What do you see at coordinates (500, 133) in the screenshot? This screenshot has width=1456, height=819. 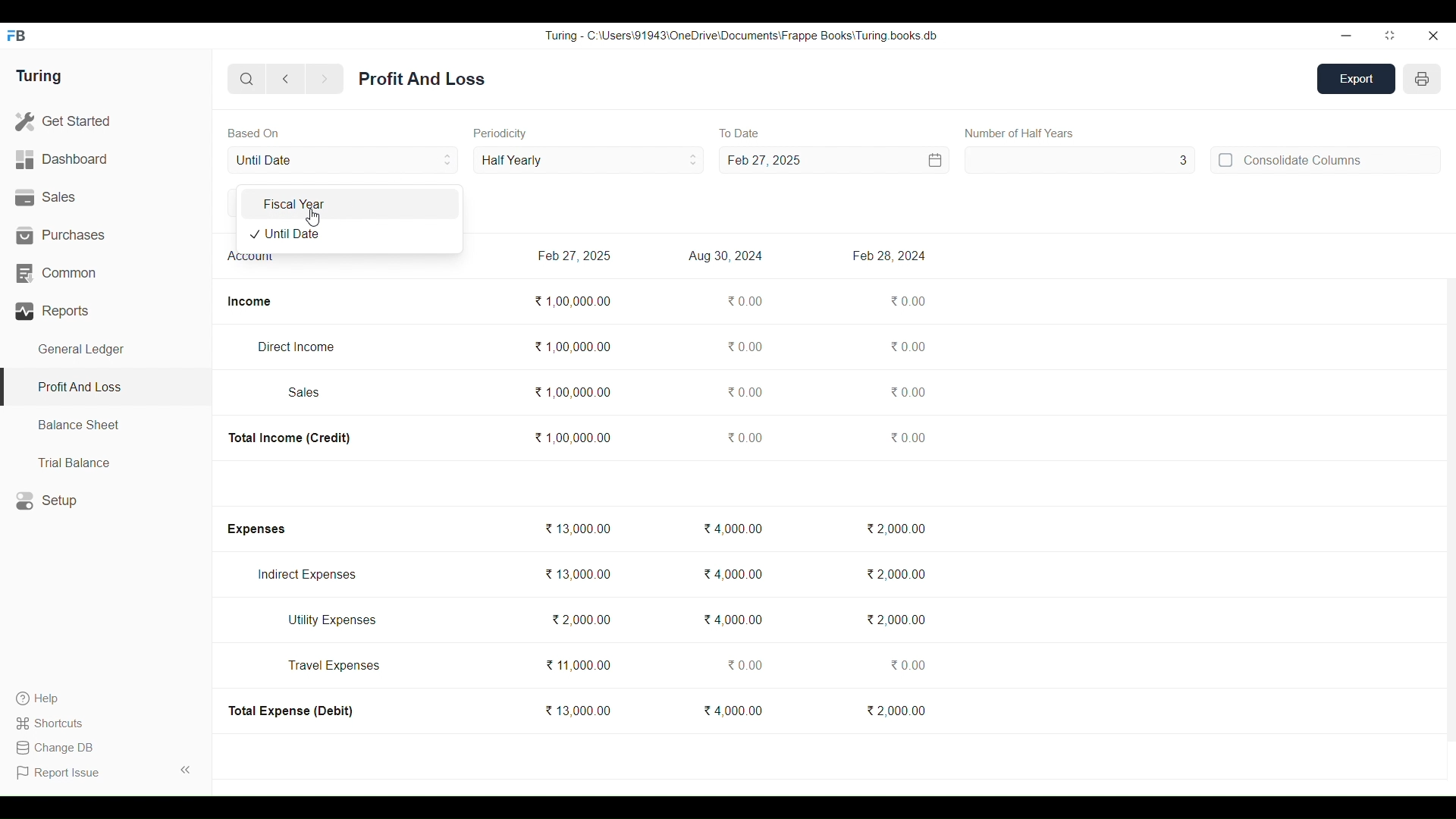 I see `Periodicity` at bounding box center [500, 133].